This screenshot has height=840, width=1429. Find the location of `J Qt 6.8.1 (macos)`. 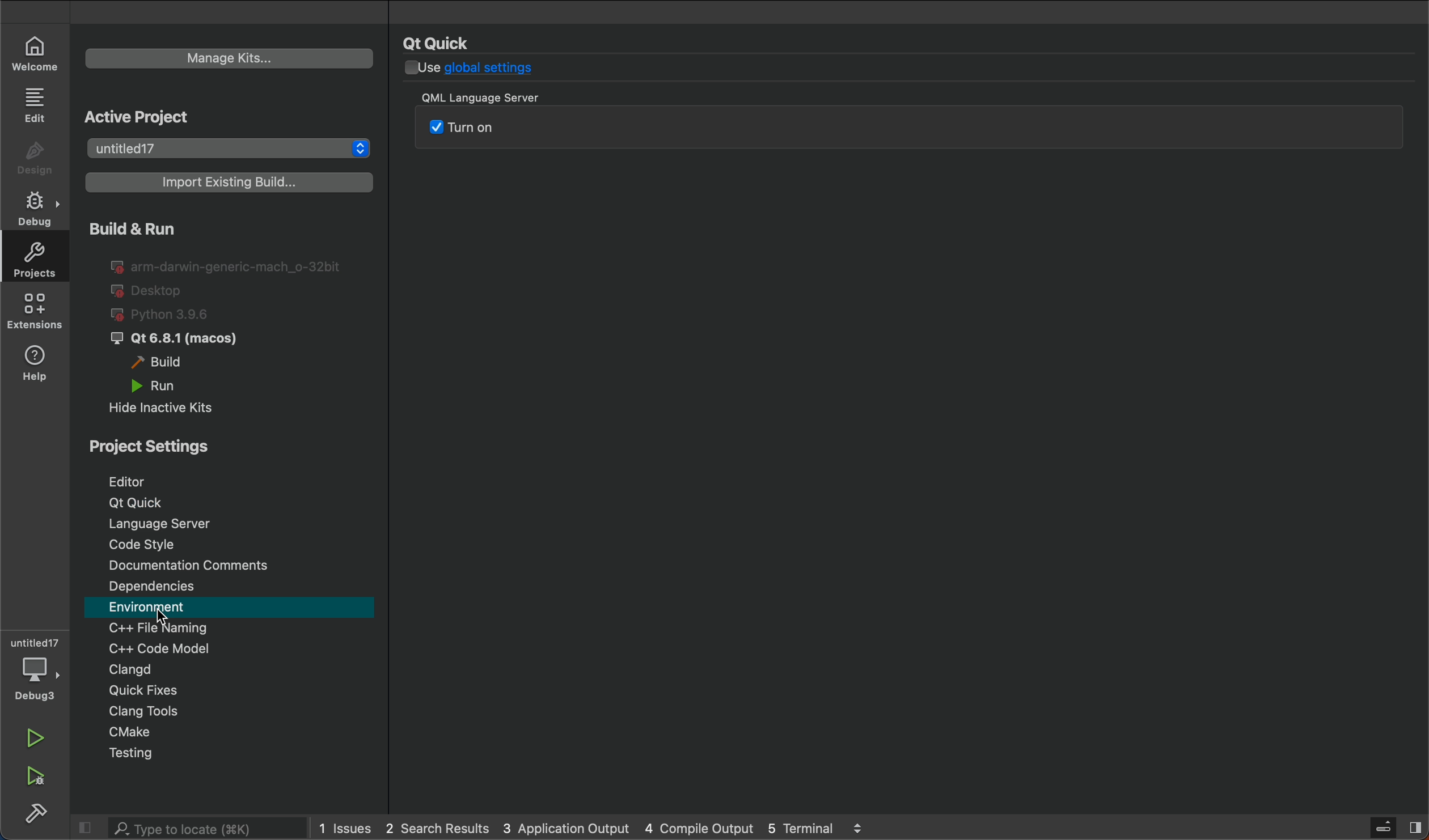

J Qt 6.8.1 (macos) is located at coordinates (184, 340).